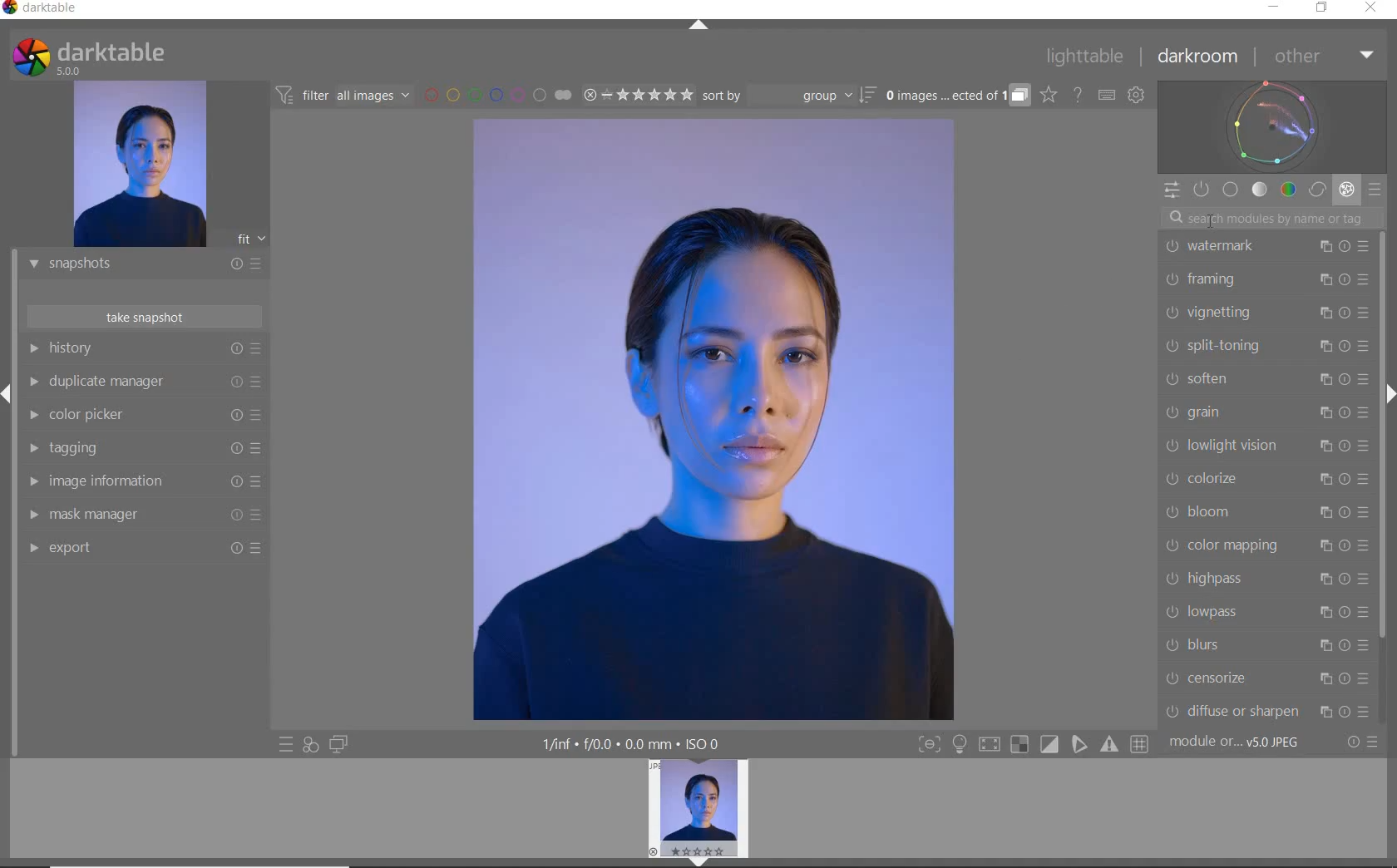  I want to click on SHOW GLOBAL PREFERENCES, so click(1136, 96).